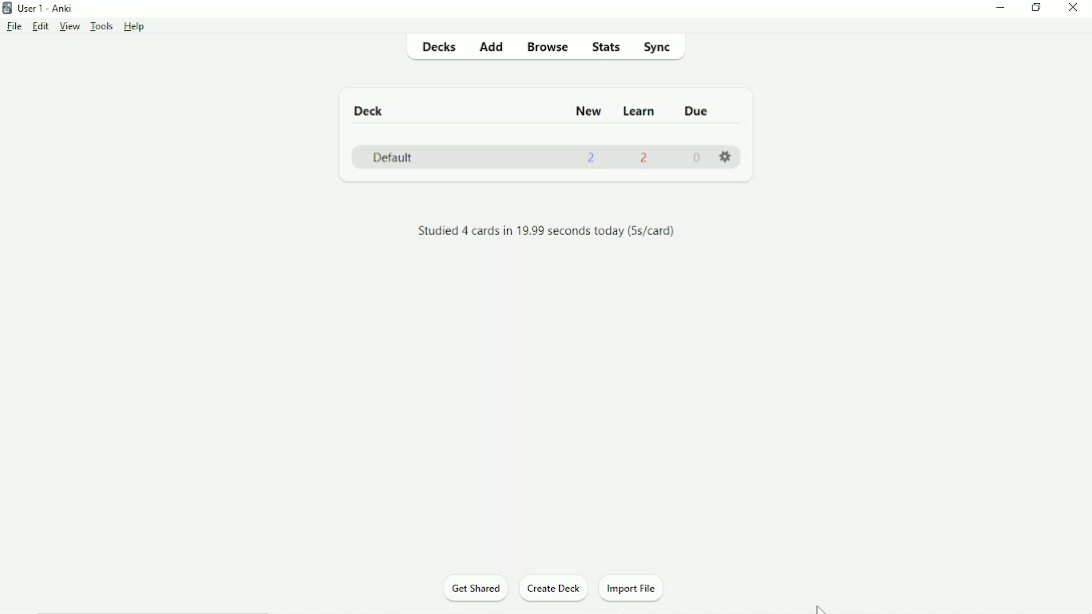 The width and height of the screenshot is (1092, 614). Describe the element at coordinates (103, 27) in the screenshot. I see `Tools` at that location.